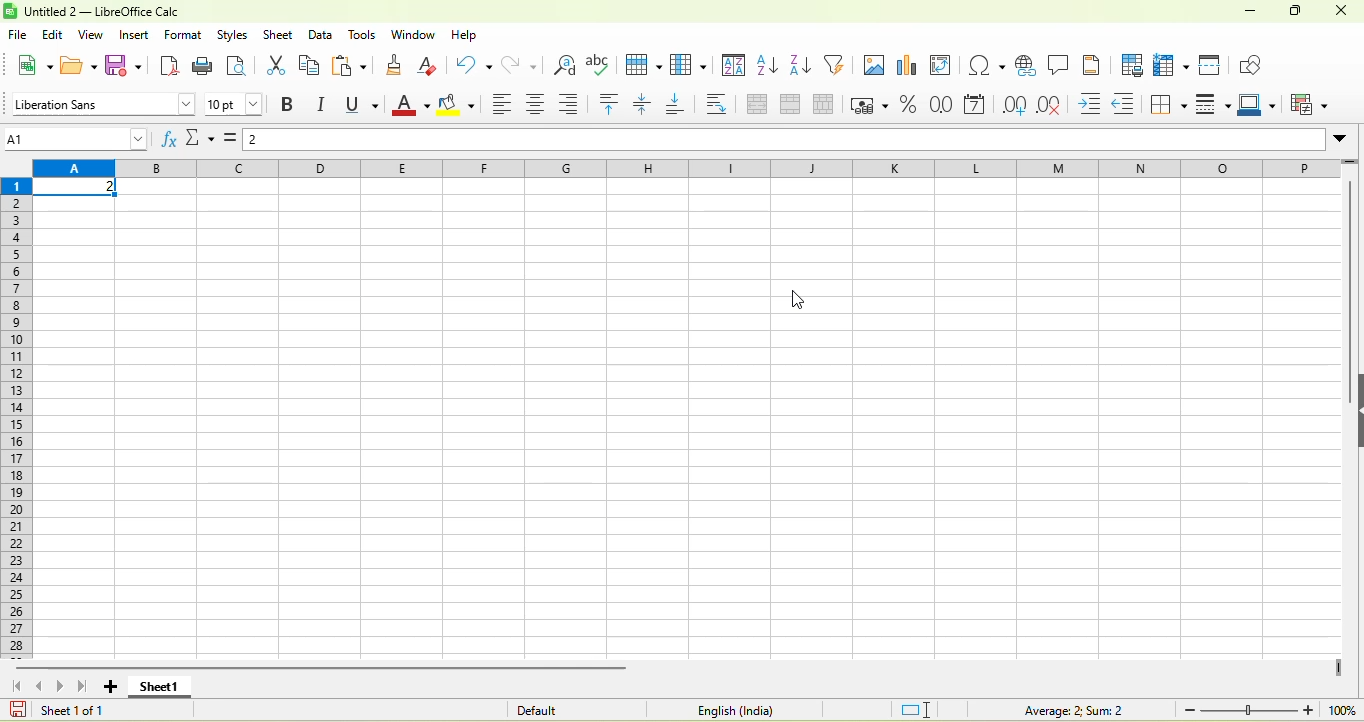  I want to click on paste, so click(352, 66).